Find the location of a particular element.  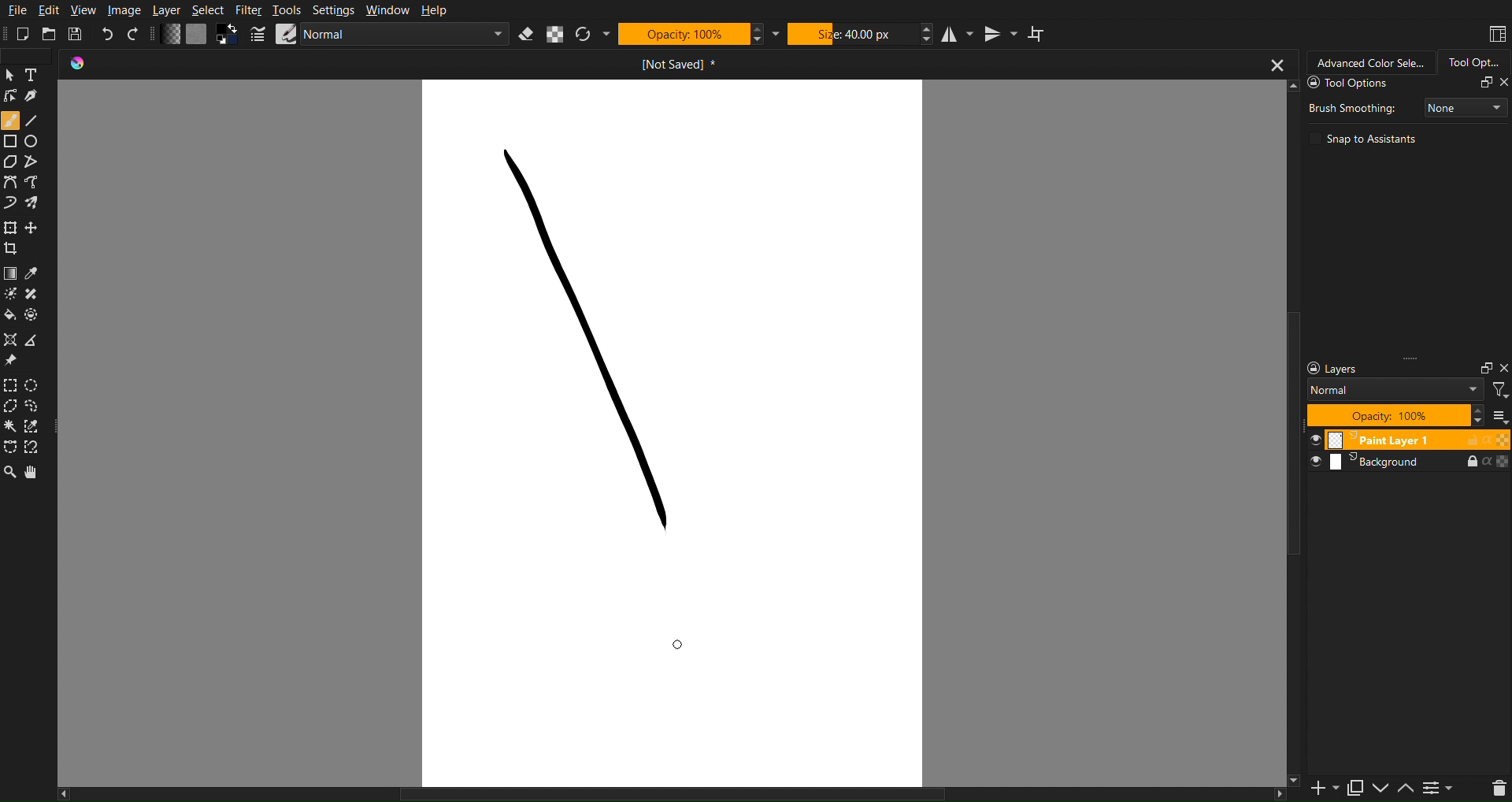

Ellipse Marquee Tool is located at coordinates (35, 387).